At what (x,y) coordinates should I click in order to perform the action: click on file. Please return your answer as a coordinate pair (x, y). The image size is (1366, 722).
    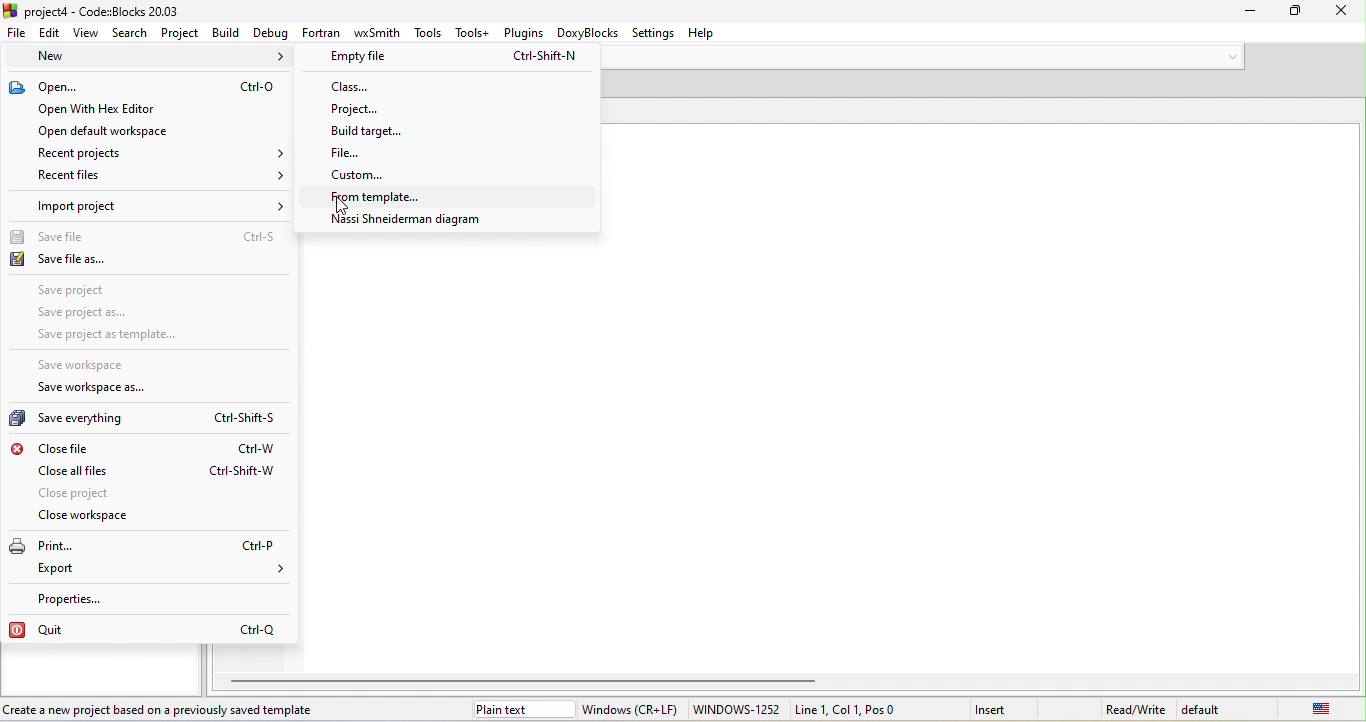
    Looking at the image, I should click on (361, 151).